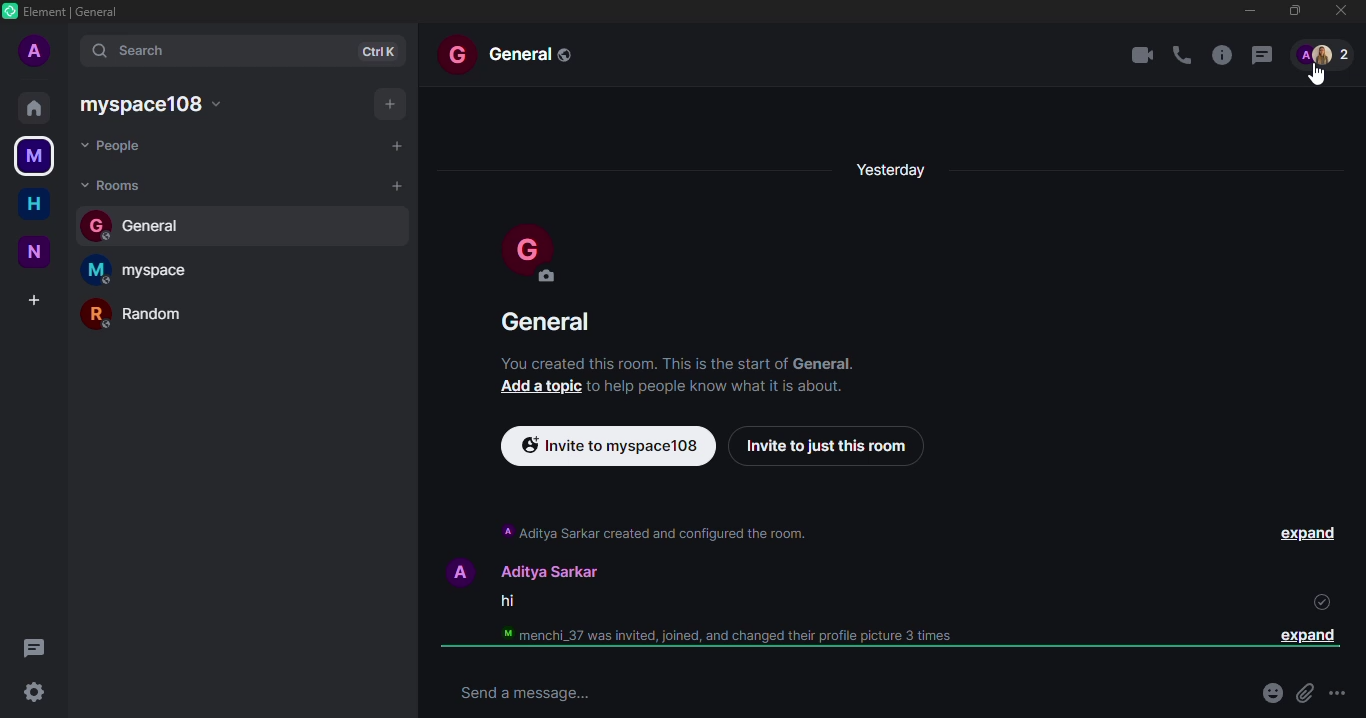  Describe the element at coordinates (824, 446) in the screenshot. I see `invite to just this room` at that location.